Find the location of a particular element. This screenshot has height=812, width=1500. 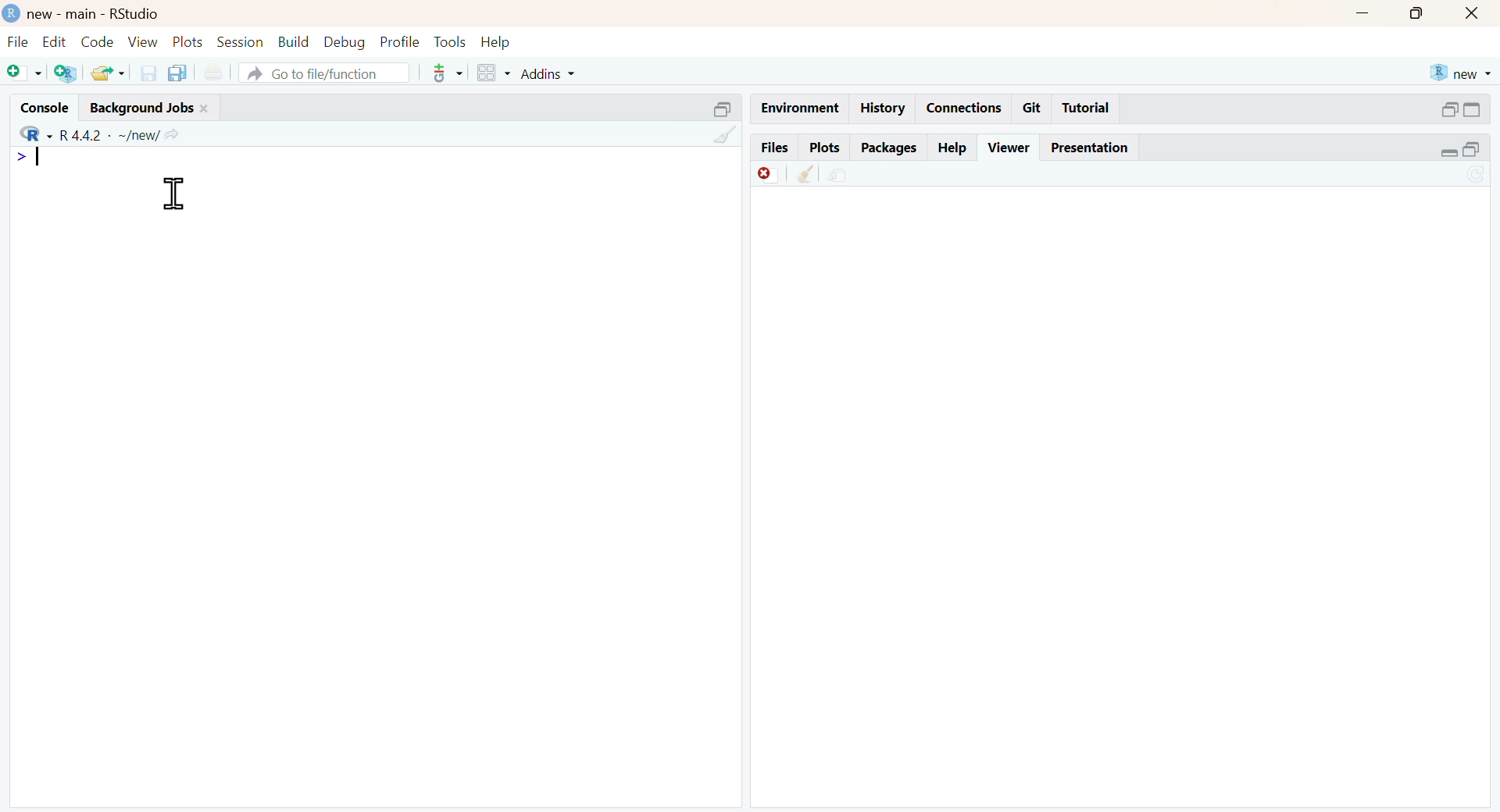

console is located at coordinates (45, 107).